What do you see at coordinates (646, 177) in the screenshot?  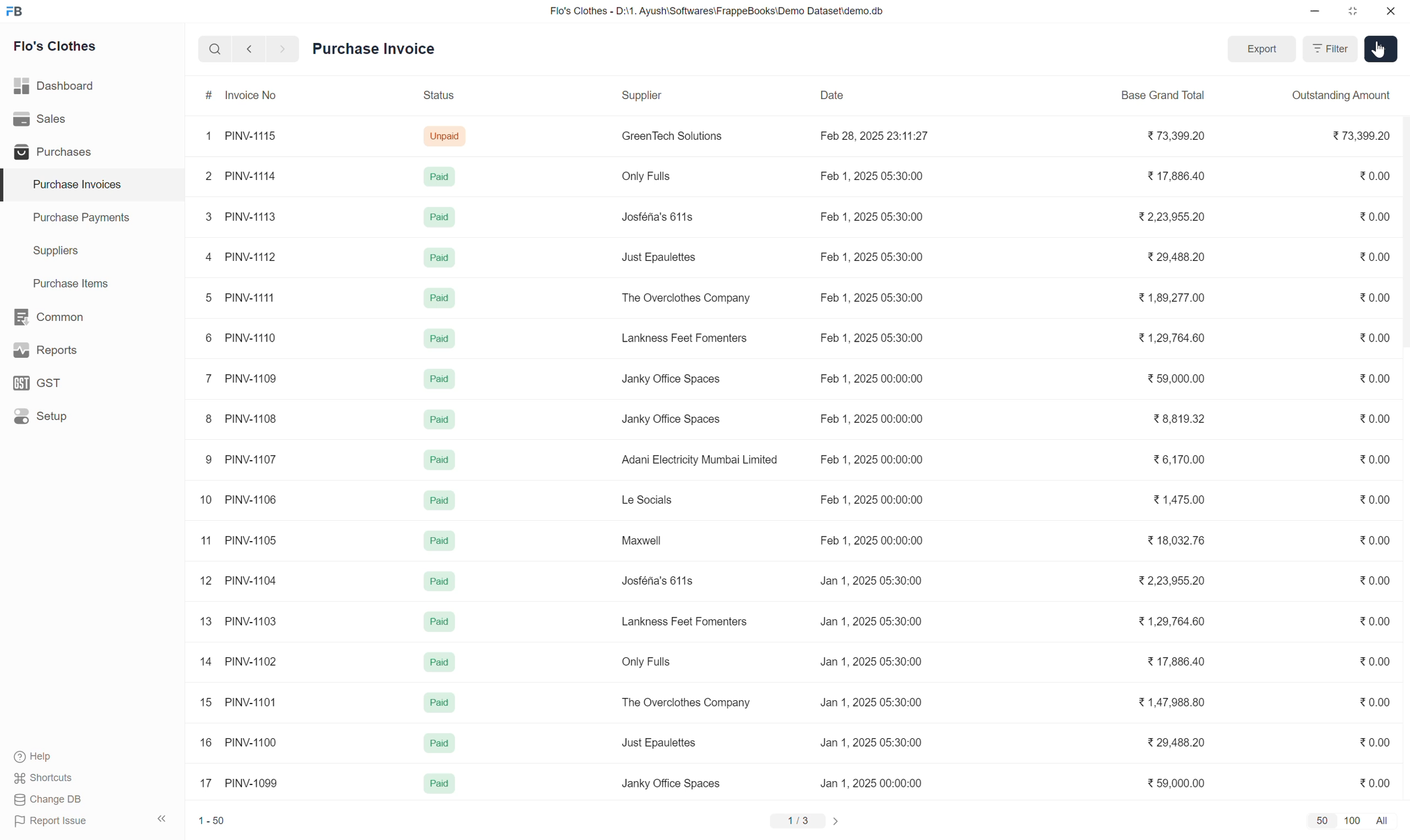 I see `Only Fulls` at bounding box center [646, 177].